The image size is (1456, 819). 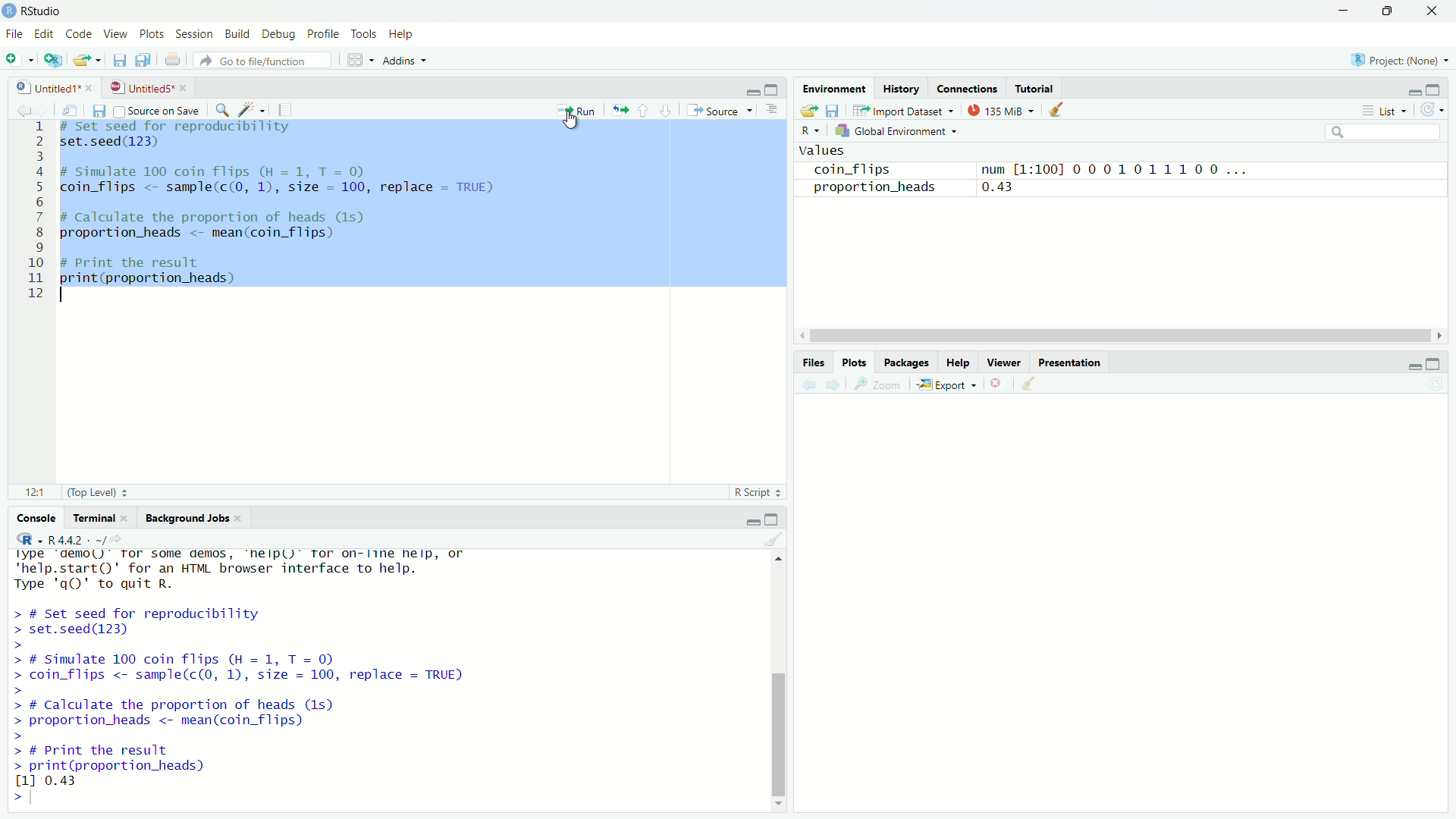 What do you see at coordinates (43, 108) in the screenshot?
I see `go forward to the next source location` at bounding box center [43, 108].